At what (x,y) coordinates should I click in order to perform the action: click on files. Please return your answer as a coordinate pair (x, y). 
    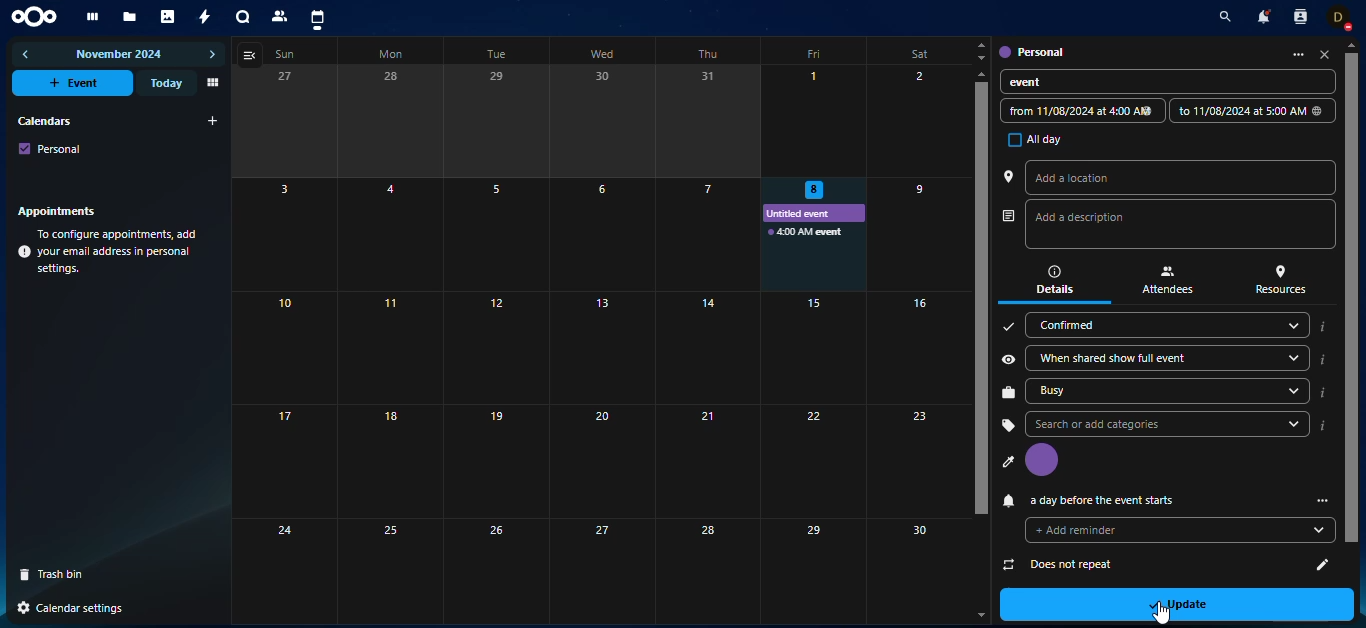
    Looking at the image, I should click on (130, 18).